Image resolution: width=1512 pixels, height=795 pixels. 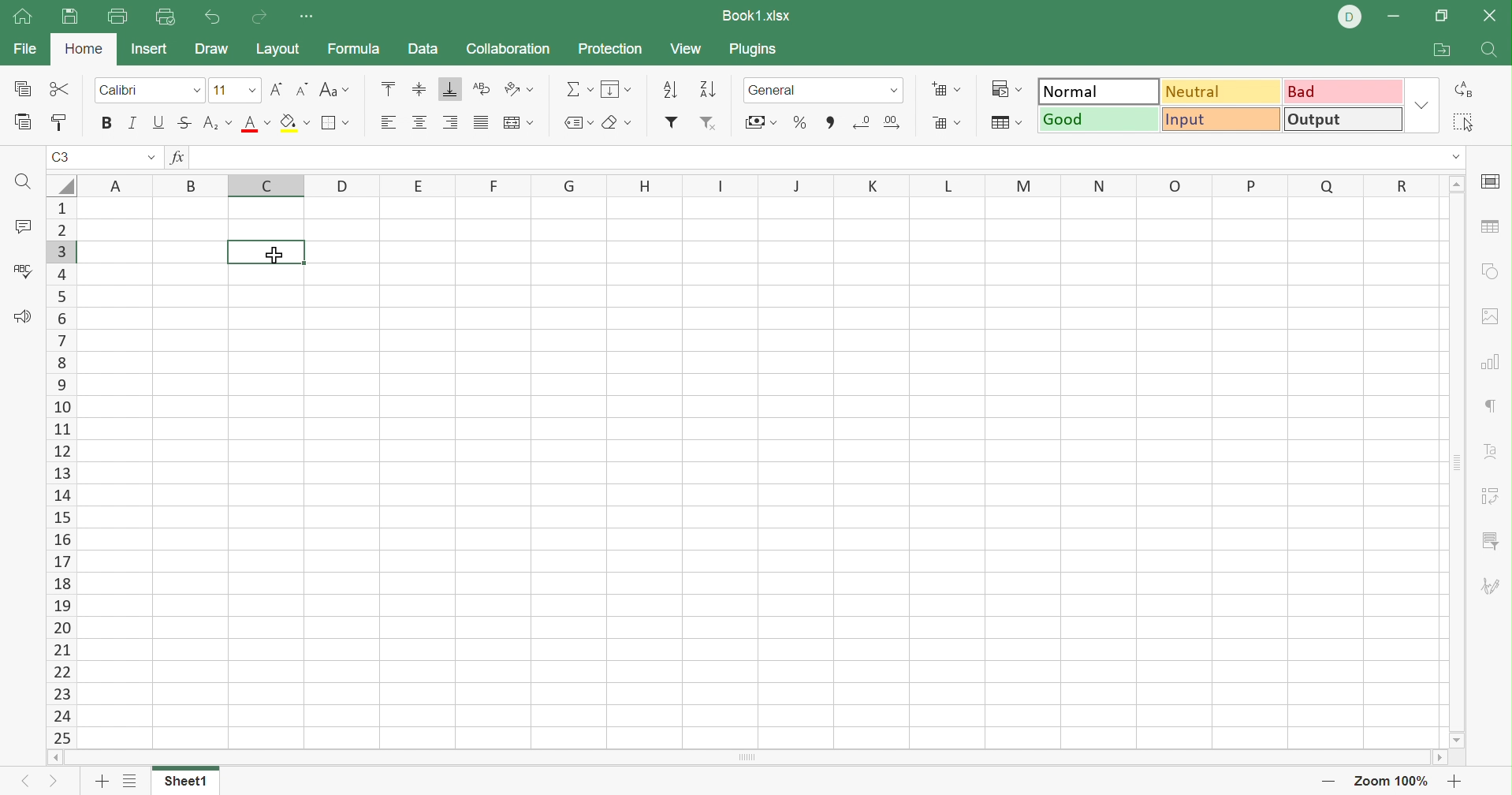 What do you see at coordinates (1494, 181) in the screenshot?
I see `cell settings` at bounding box center [1494, 181].